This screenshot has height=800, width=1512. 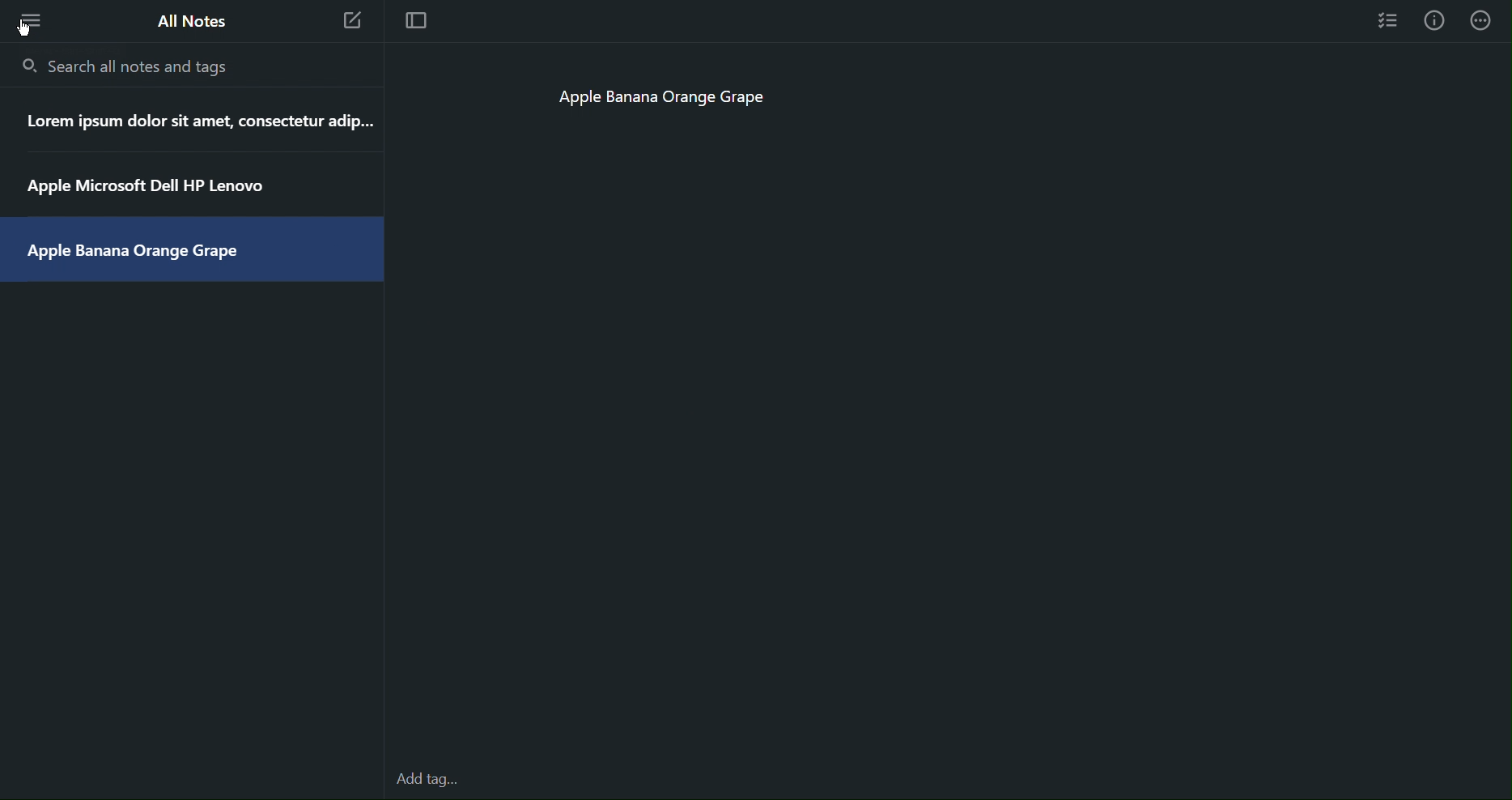 I want to click on Lorem ipsum dolor sit amet, consectetur adip..., so click(x=202, y=121).